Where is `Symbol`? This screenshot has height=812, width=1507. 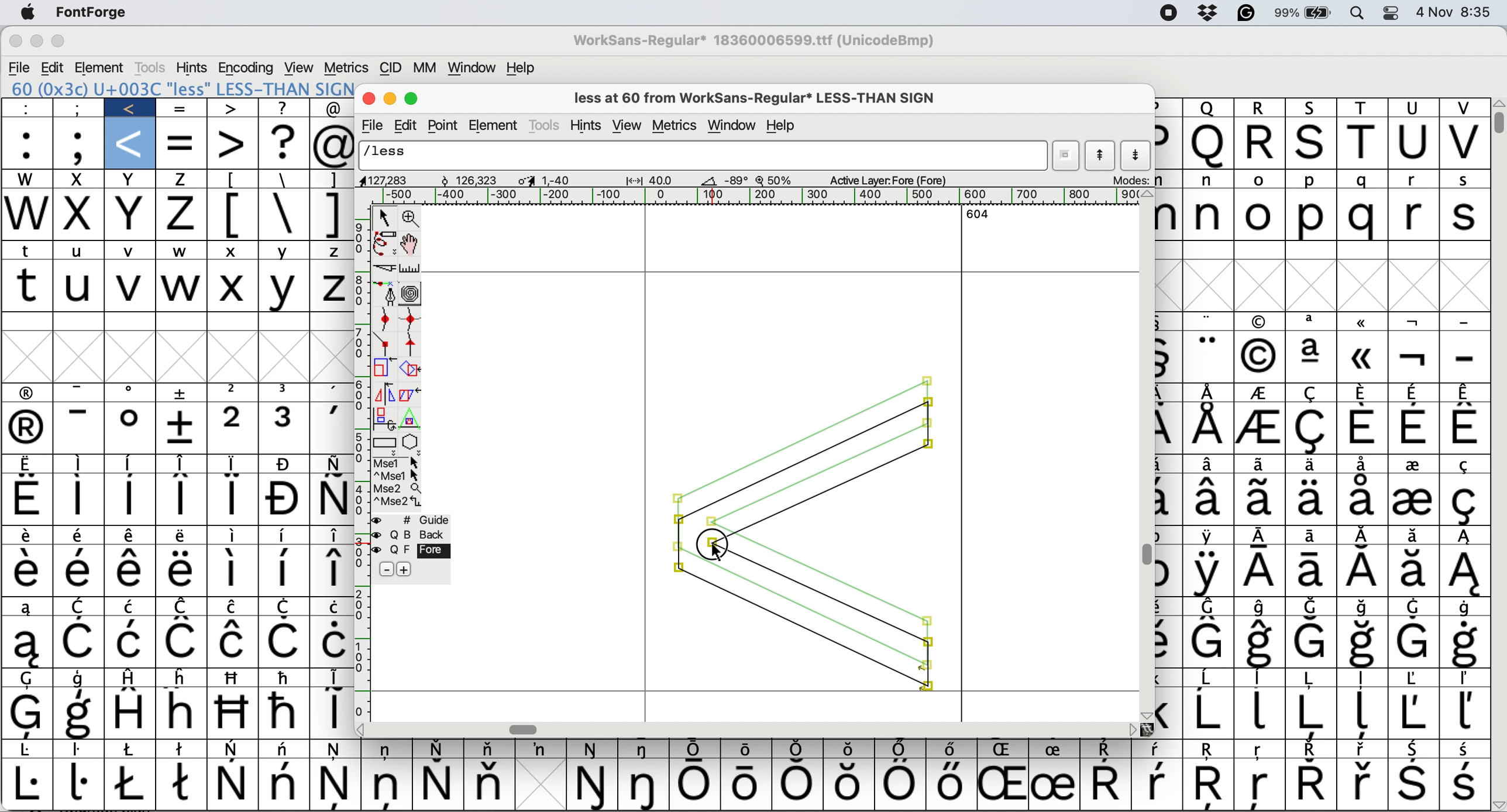 Symbol is located at coordinates (287, 501).